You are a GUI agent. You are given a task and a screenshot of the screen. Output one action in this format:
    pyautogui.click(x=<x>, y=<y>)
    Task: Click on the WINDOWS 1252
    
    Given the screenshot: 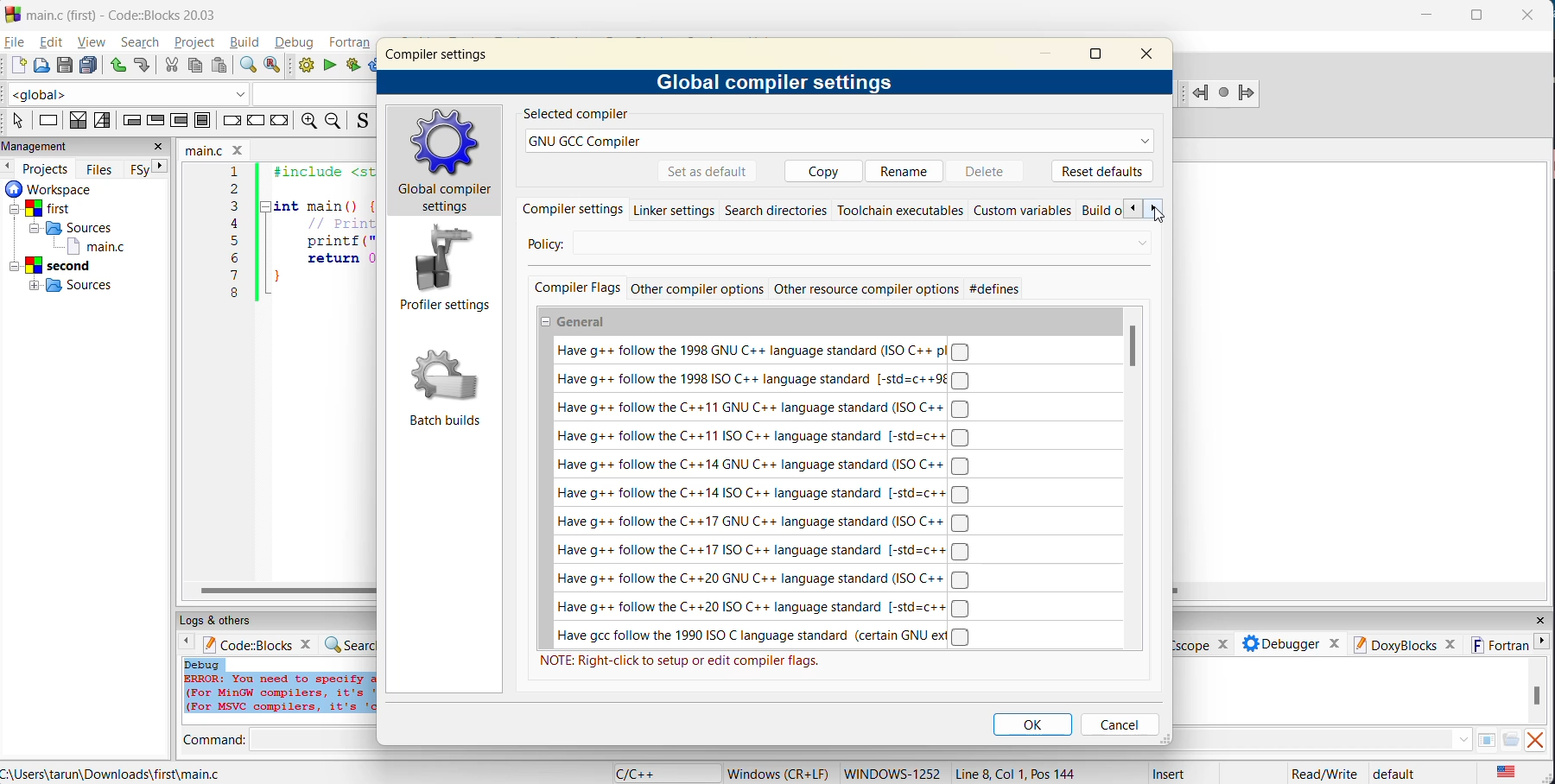 What is the action you would take?
    pyautogui.click(x=890, y=774)
    